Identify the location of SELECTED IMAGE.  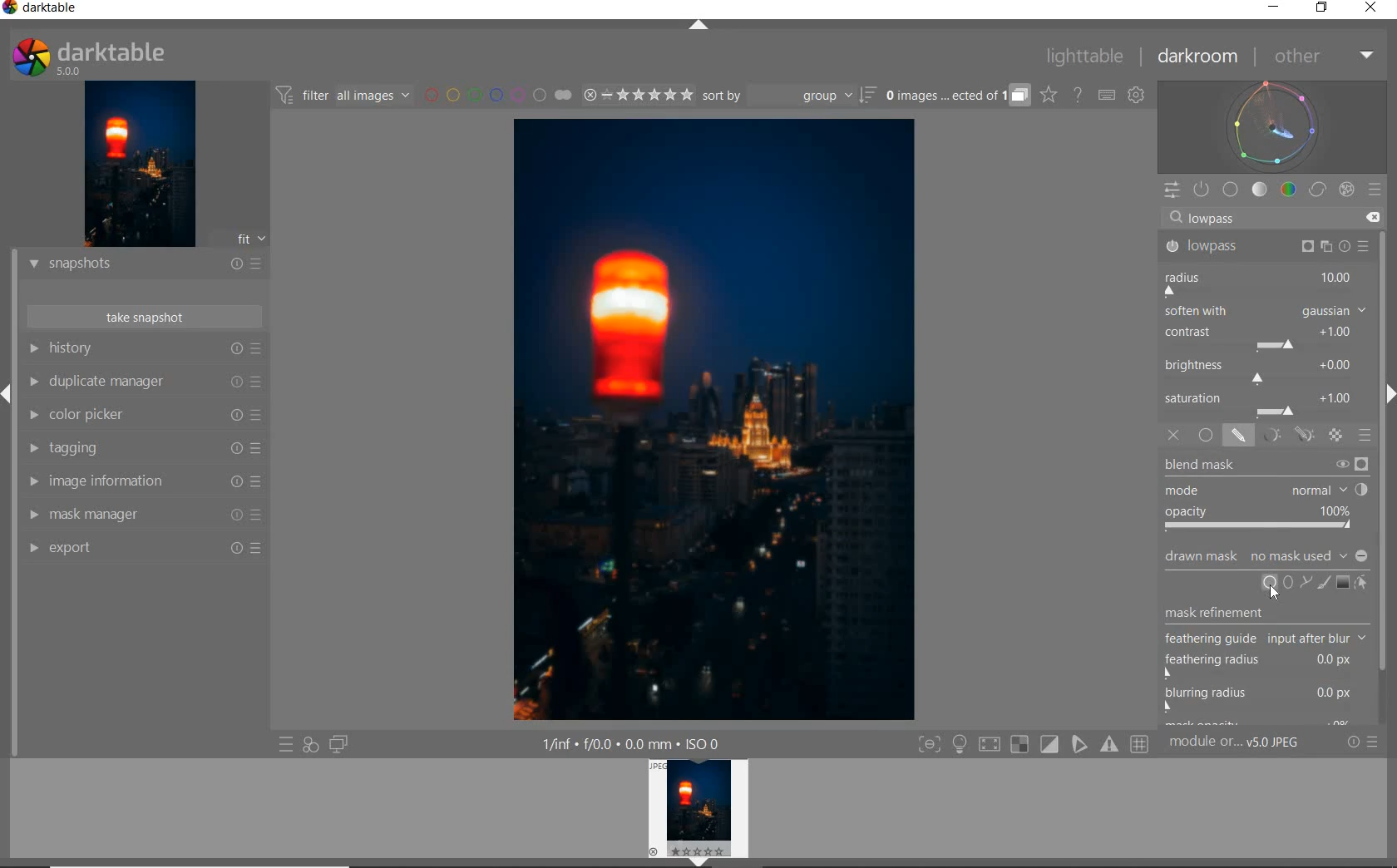
(718, 422).